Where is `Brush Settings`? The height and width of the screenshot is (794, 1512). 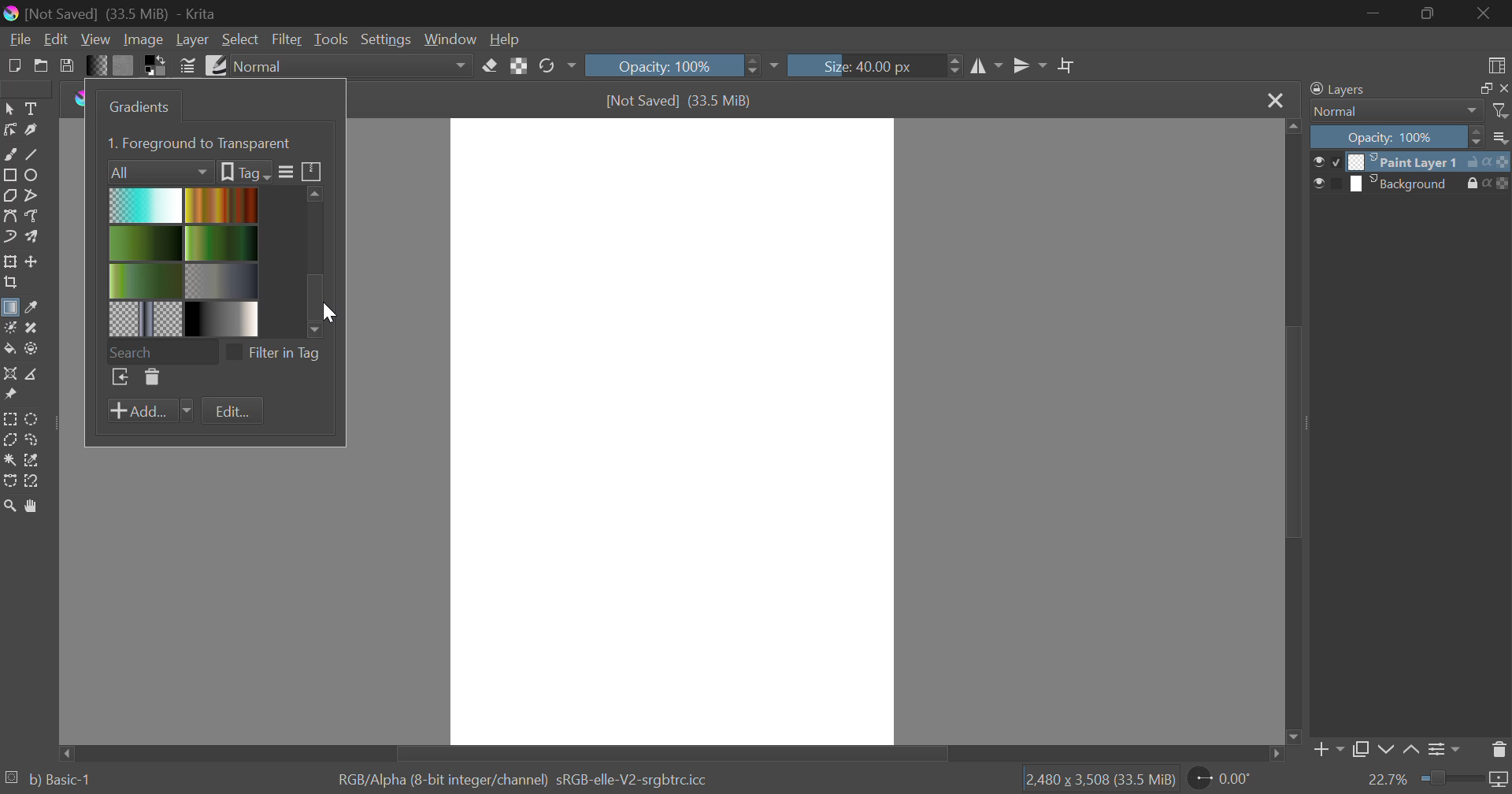
Brush Settings is located at coordinates (187, 65).